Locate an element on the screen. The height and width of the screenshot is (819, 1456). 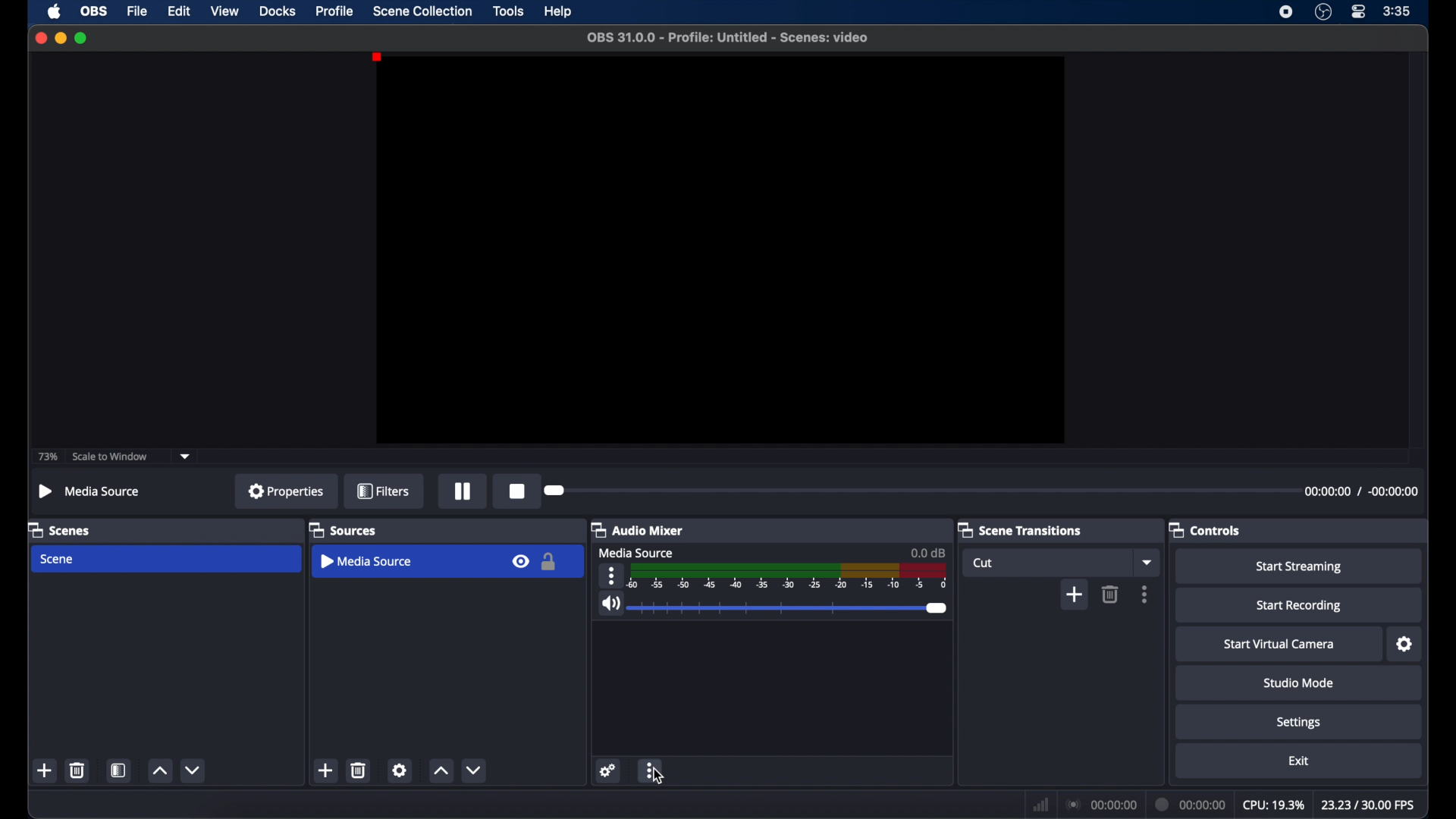
timeline scale is located at coordinates (788, 576).